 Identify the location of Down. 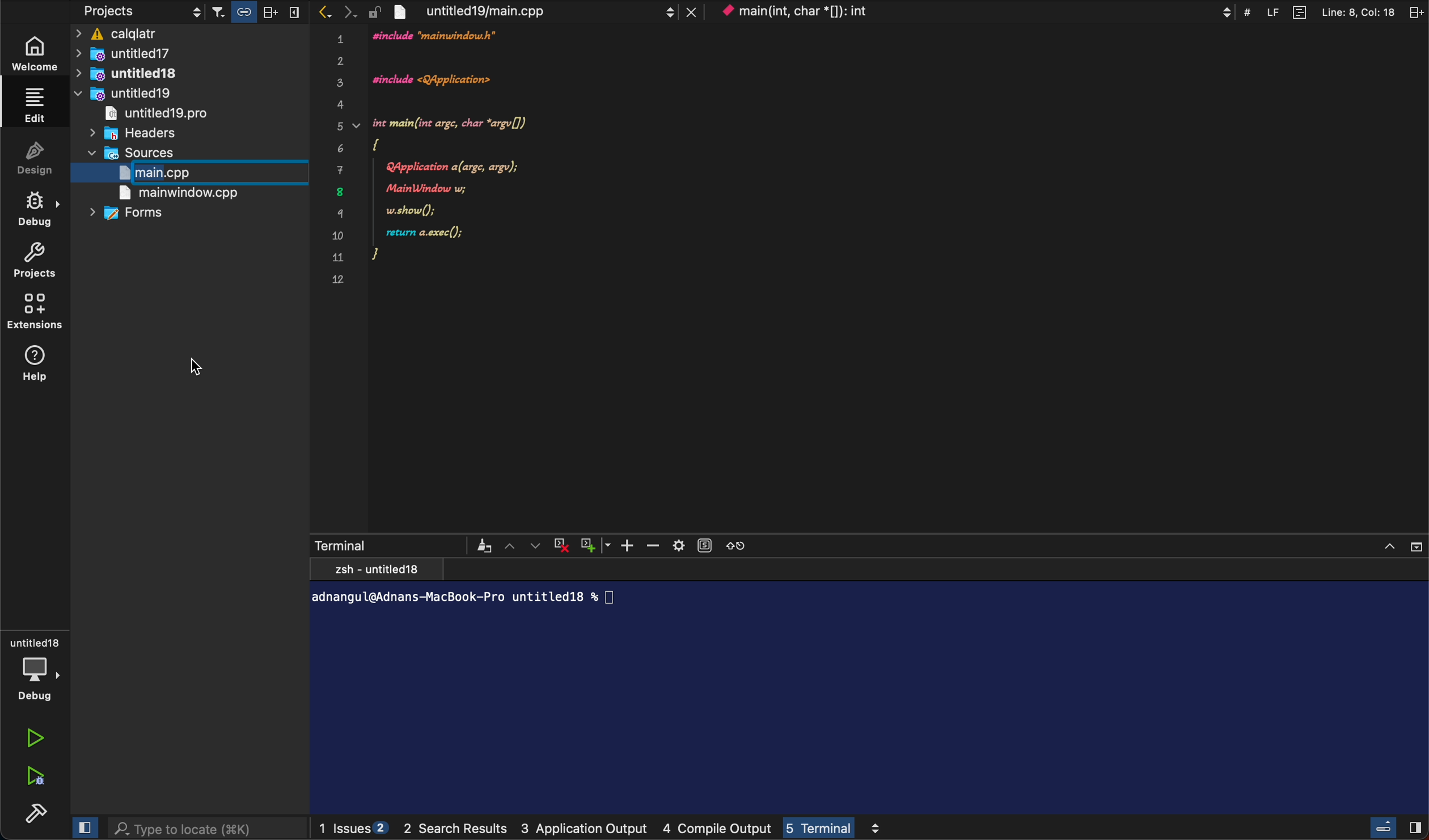
(538, 545).